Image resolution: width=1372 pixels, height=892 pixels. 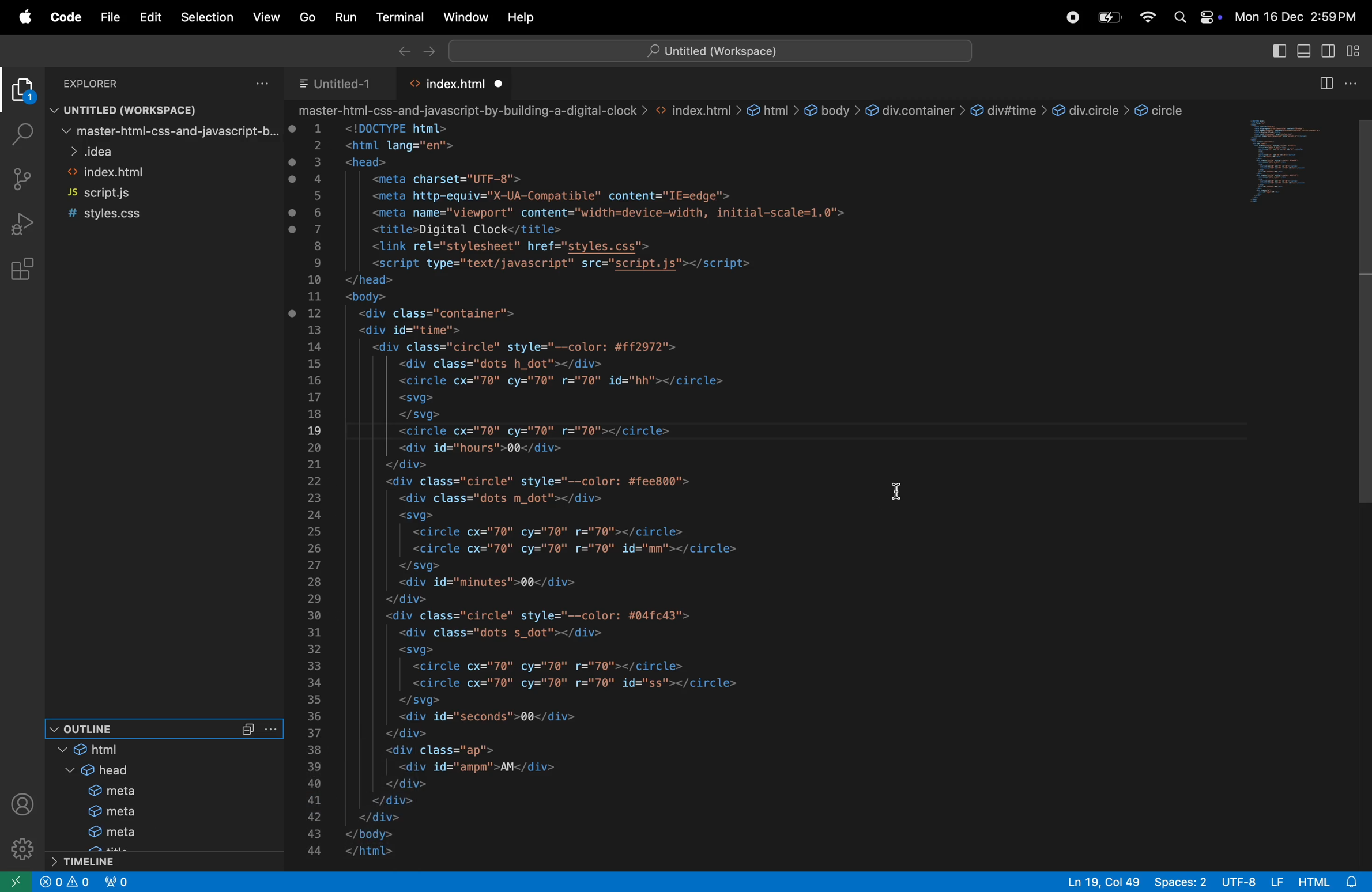 I want to click on cursor, so click(x=907, y=492).